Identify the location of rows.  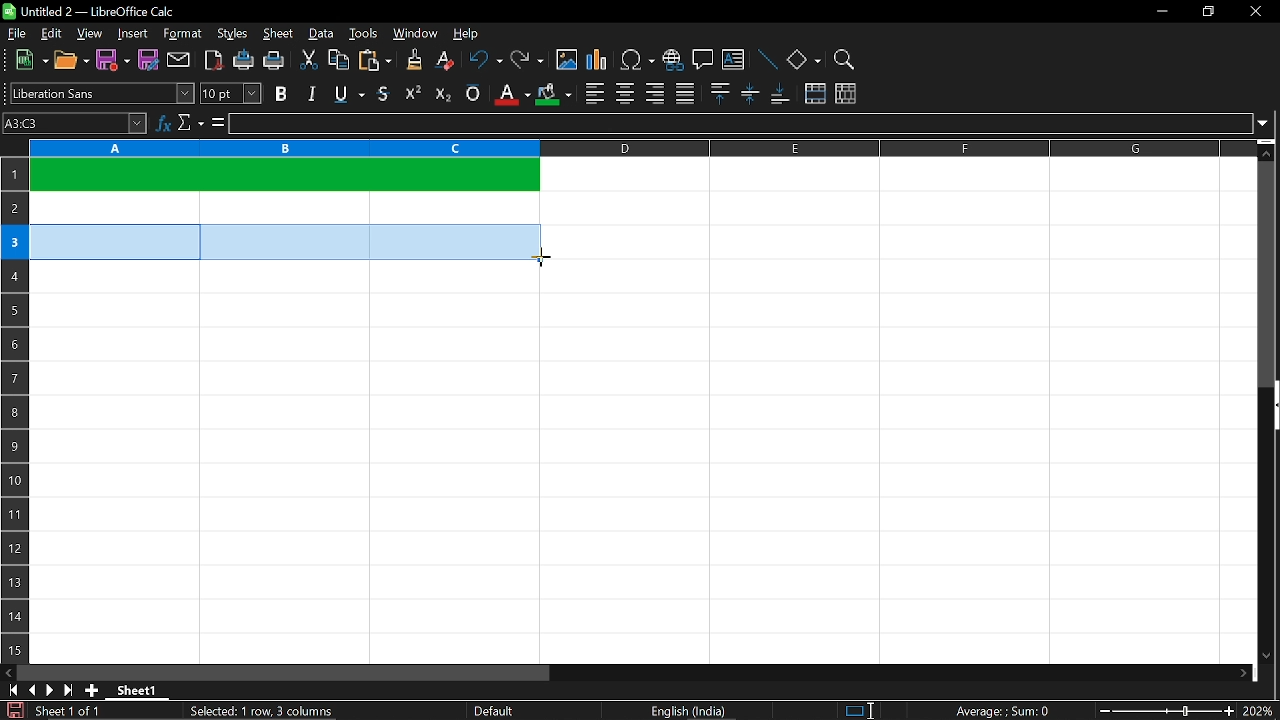
(12, 387).